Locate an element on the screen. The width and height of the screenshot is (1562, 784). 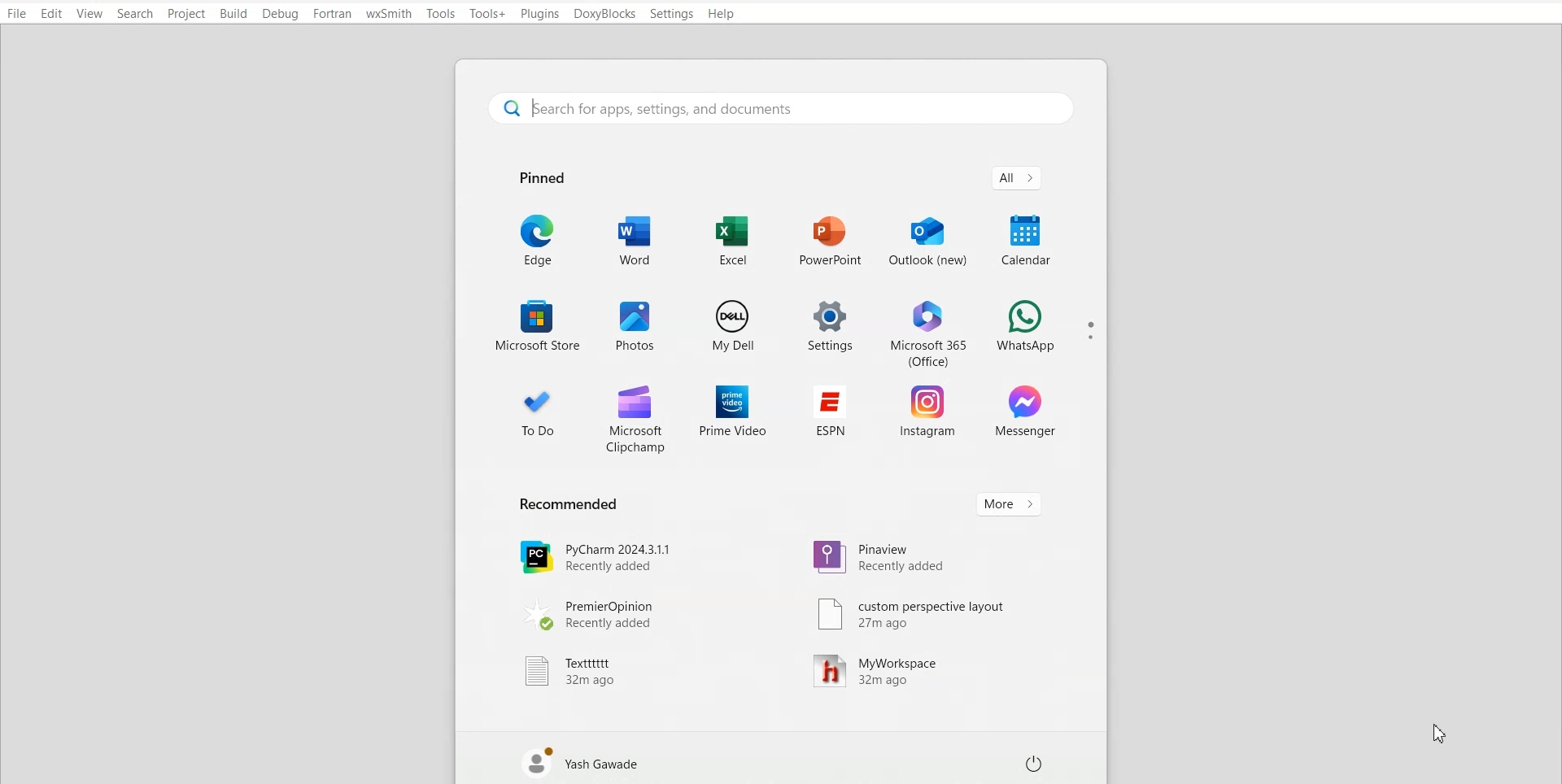
Build is located at coordinates (233, 14).